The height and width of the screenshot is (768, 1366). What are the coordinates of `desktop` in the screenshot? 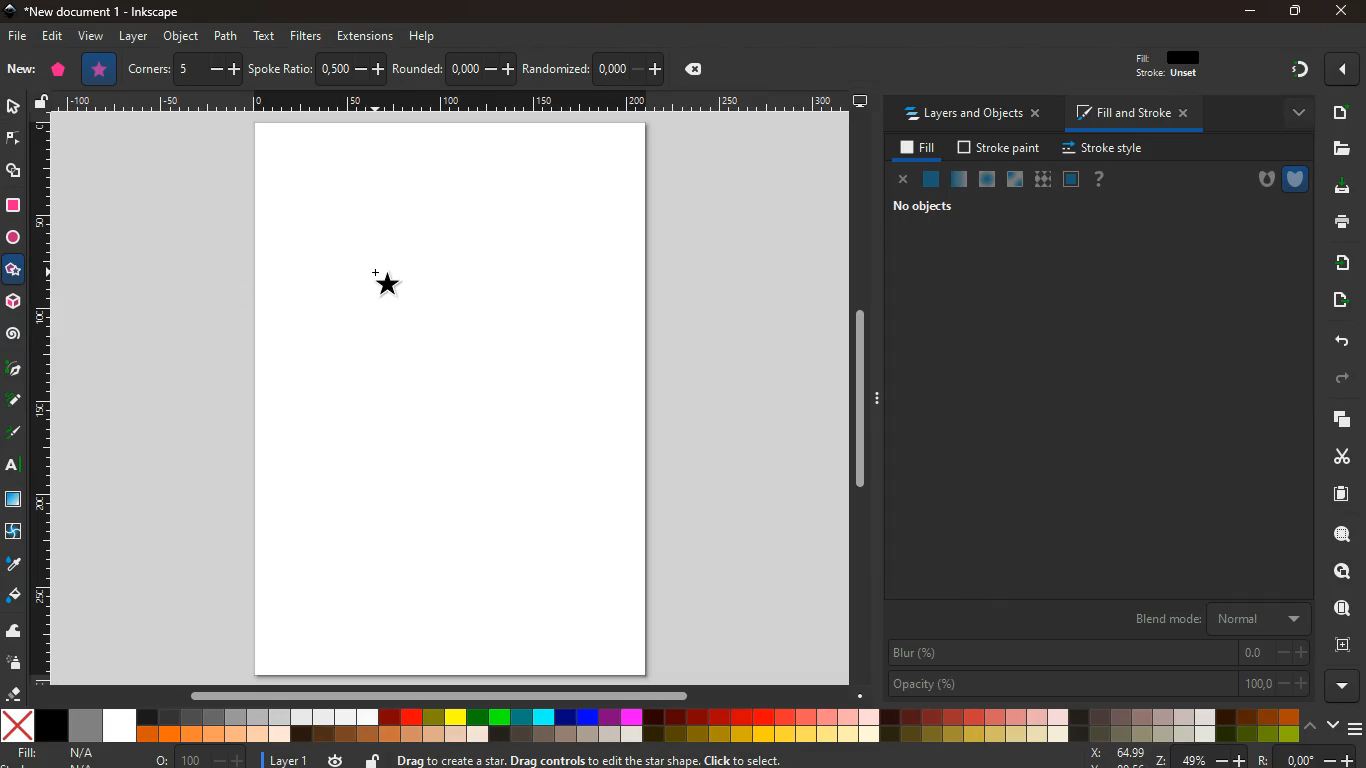 It's located at (861, 101).